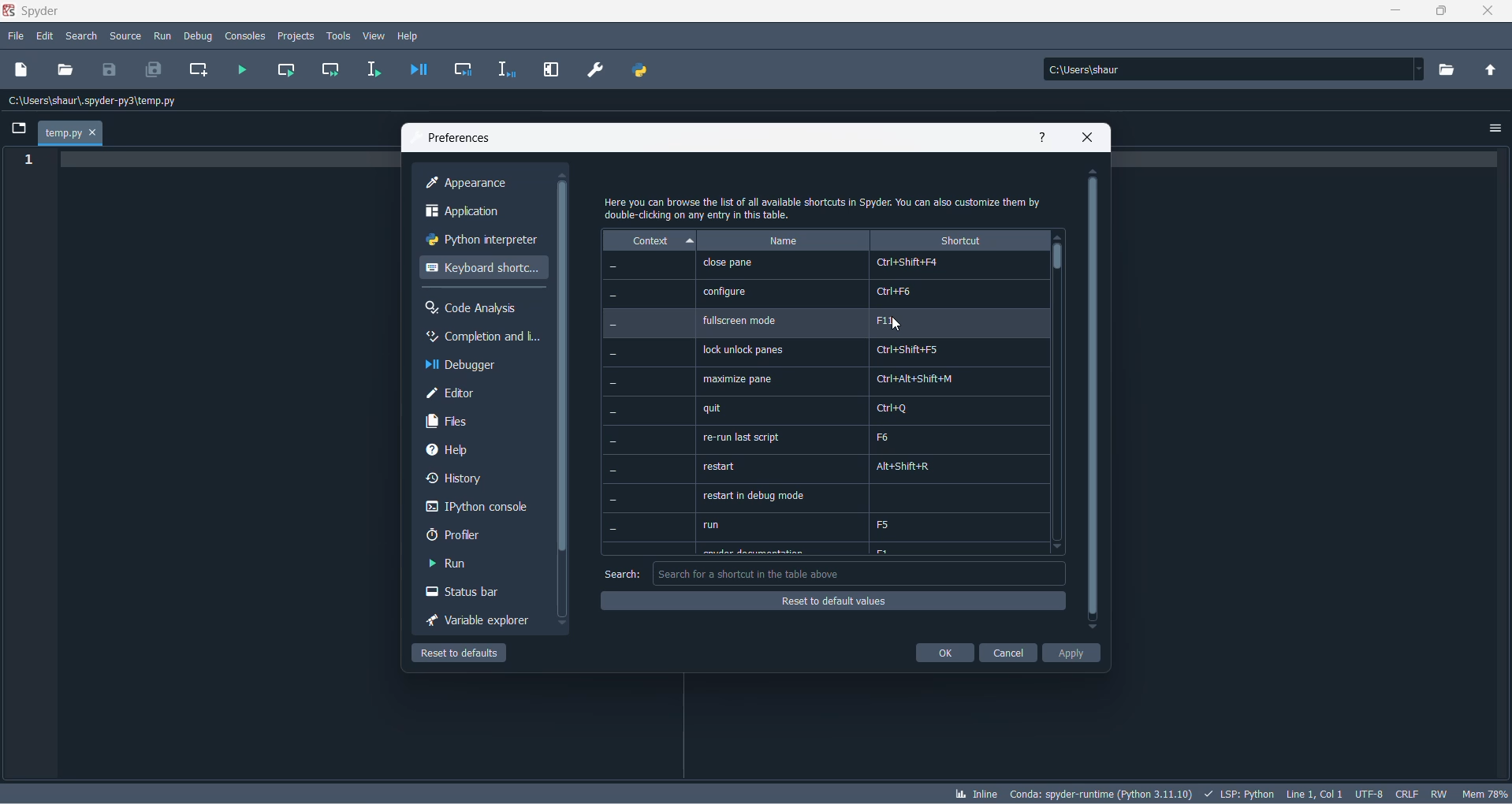 The width and height of the screenshot is (1512, 804). Describe the element at coordinates (15, 37) in the screenshot. I see `file` at that location.